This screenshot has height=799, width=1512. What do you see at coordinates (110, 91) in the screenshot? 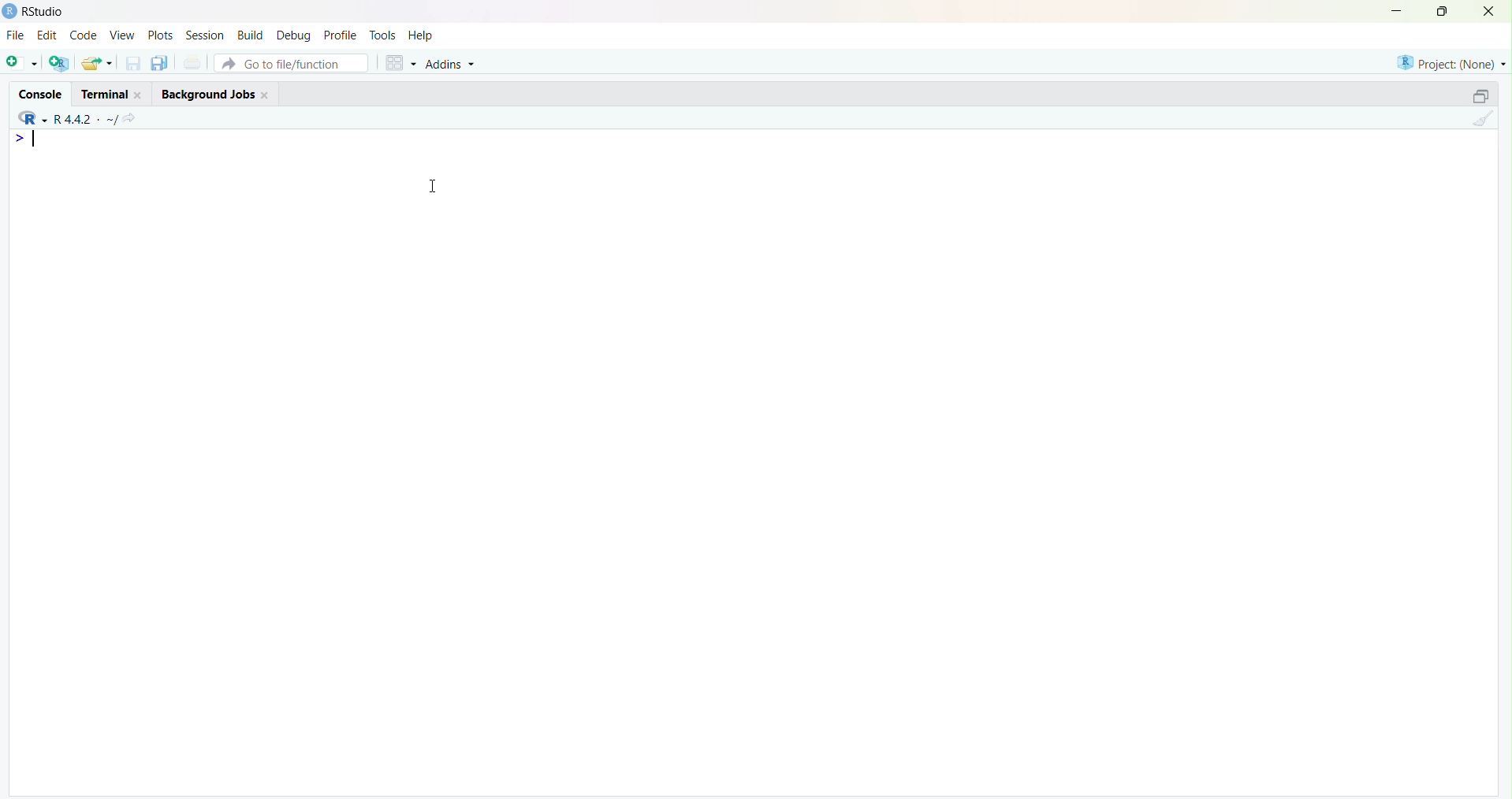
I see `Terminal` at bounding box center [110, 91].